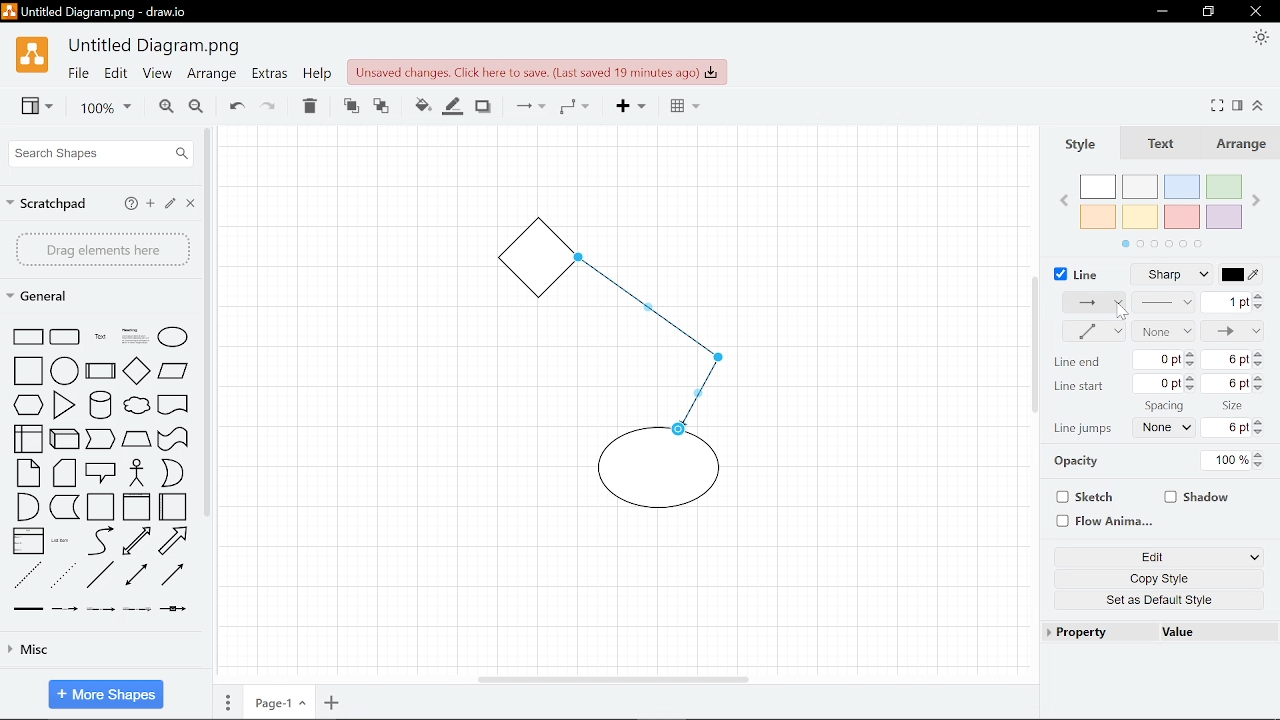 This screenshot has width=1280, height=720. I want to click on minimize, so click(1163, 11).